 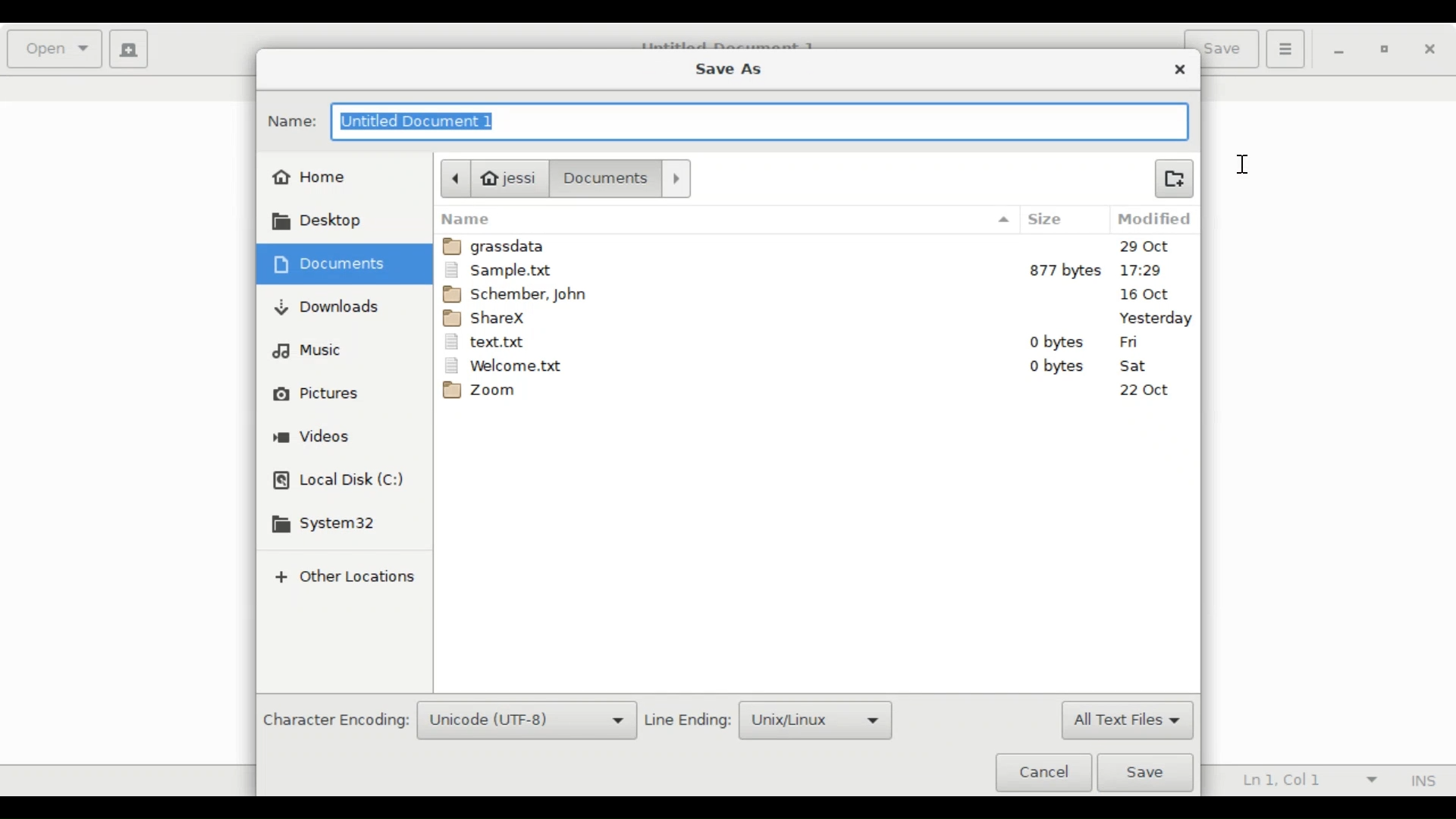 What do you see at coordinates (340, 482) in the screenshot?
I see `Local Disk (C)` at bounding box center [340, 482].